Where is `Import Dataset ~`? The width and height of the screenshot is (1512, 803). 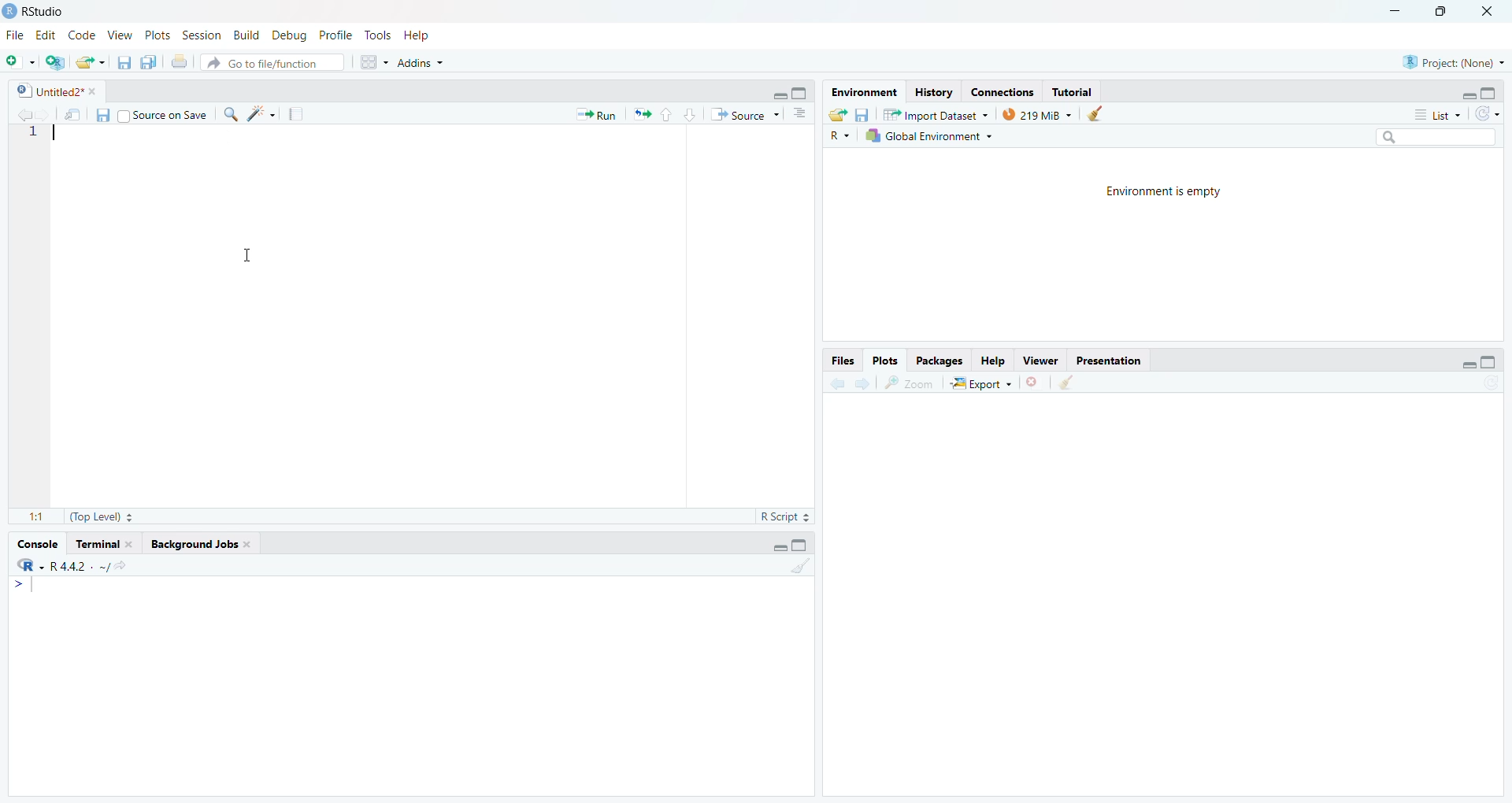 Import Dataset ~ is located at coordinates (936, 114).